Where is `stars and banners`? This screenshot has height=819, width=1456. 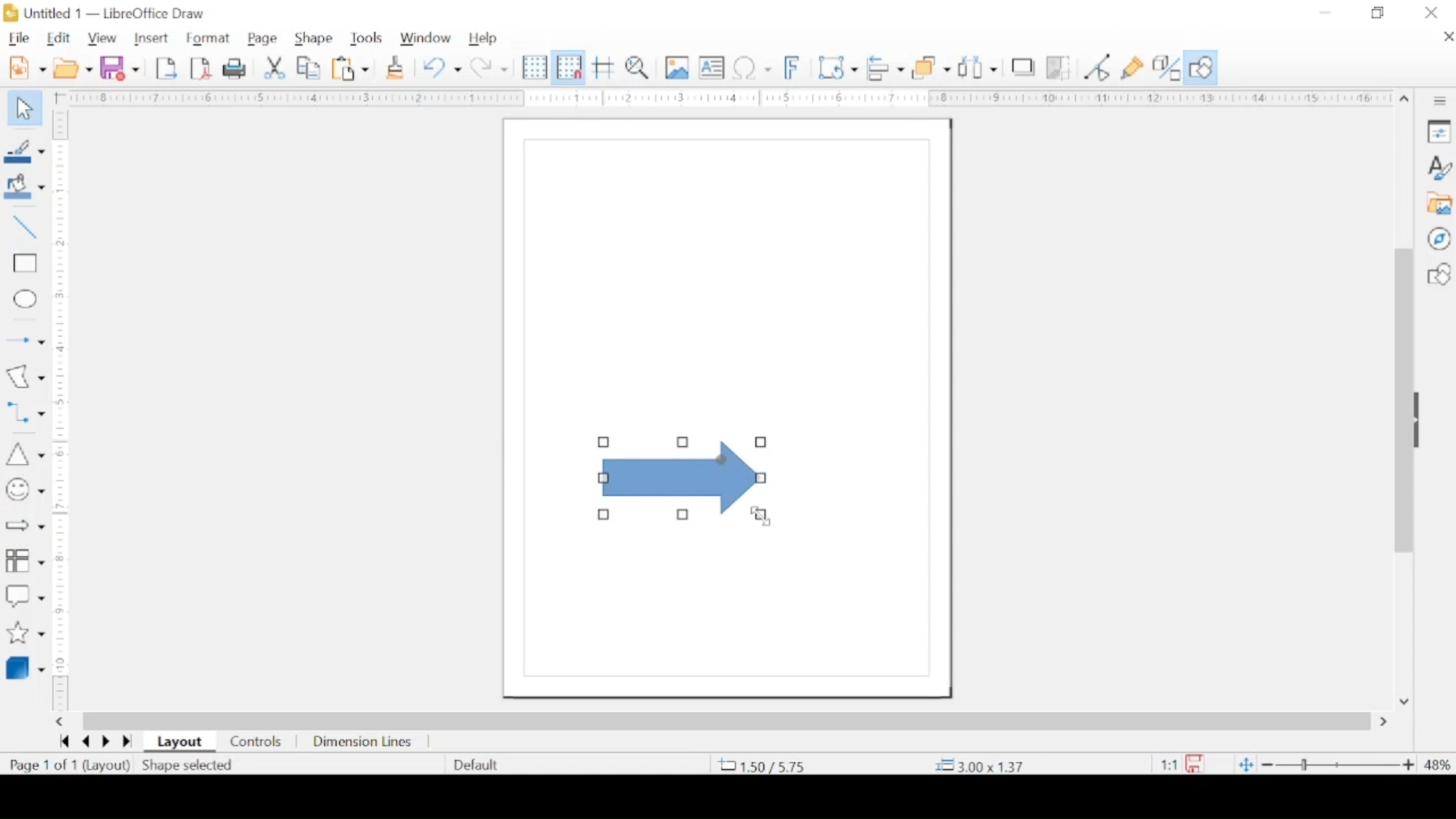
stars and banners is located at coordinates (25, 634).